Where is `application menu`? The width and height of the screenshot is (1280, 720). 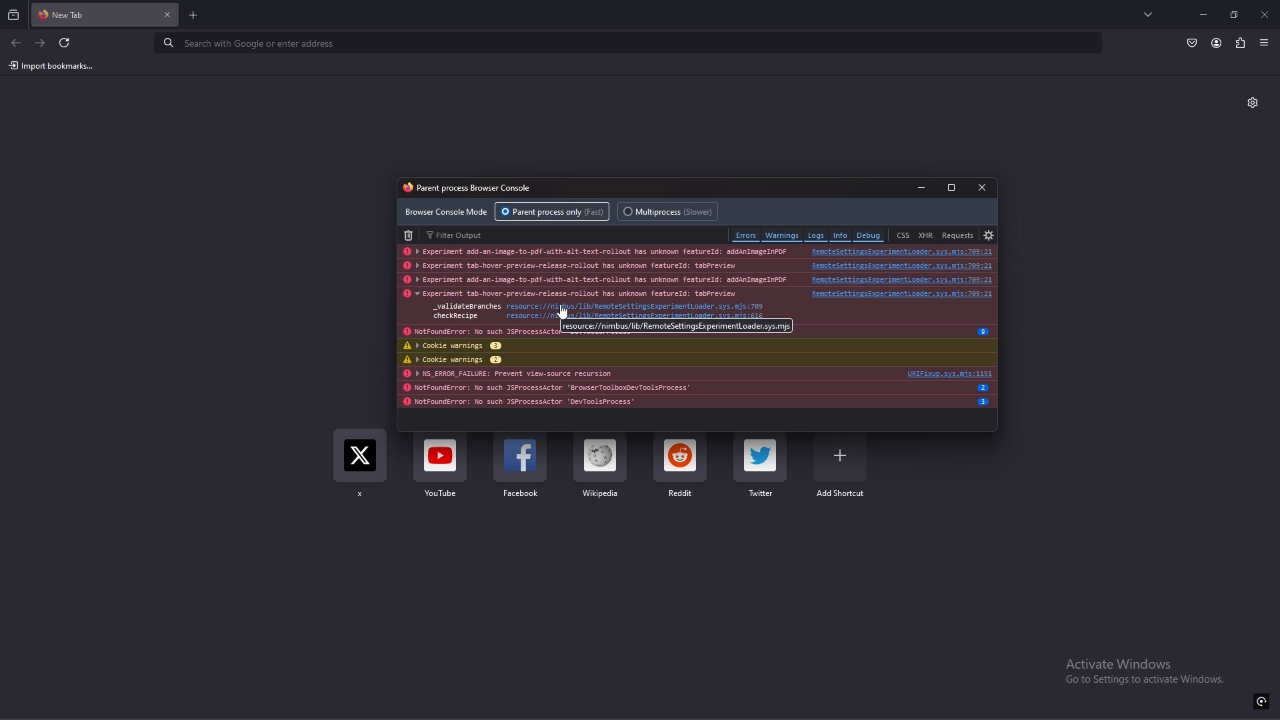 application menu is located at coordinates (1266, 44).